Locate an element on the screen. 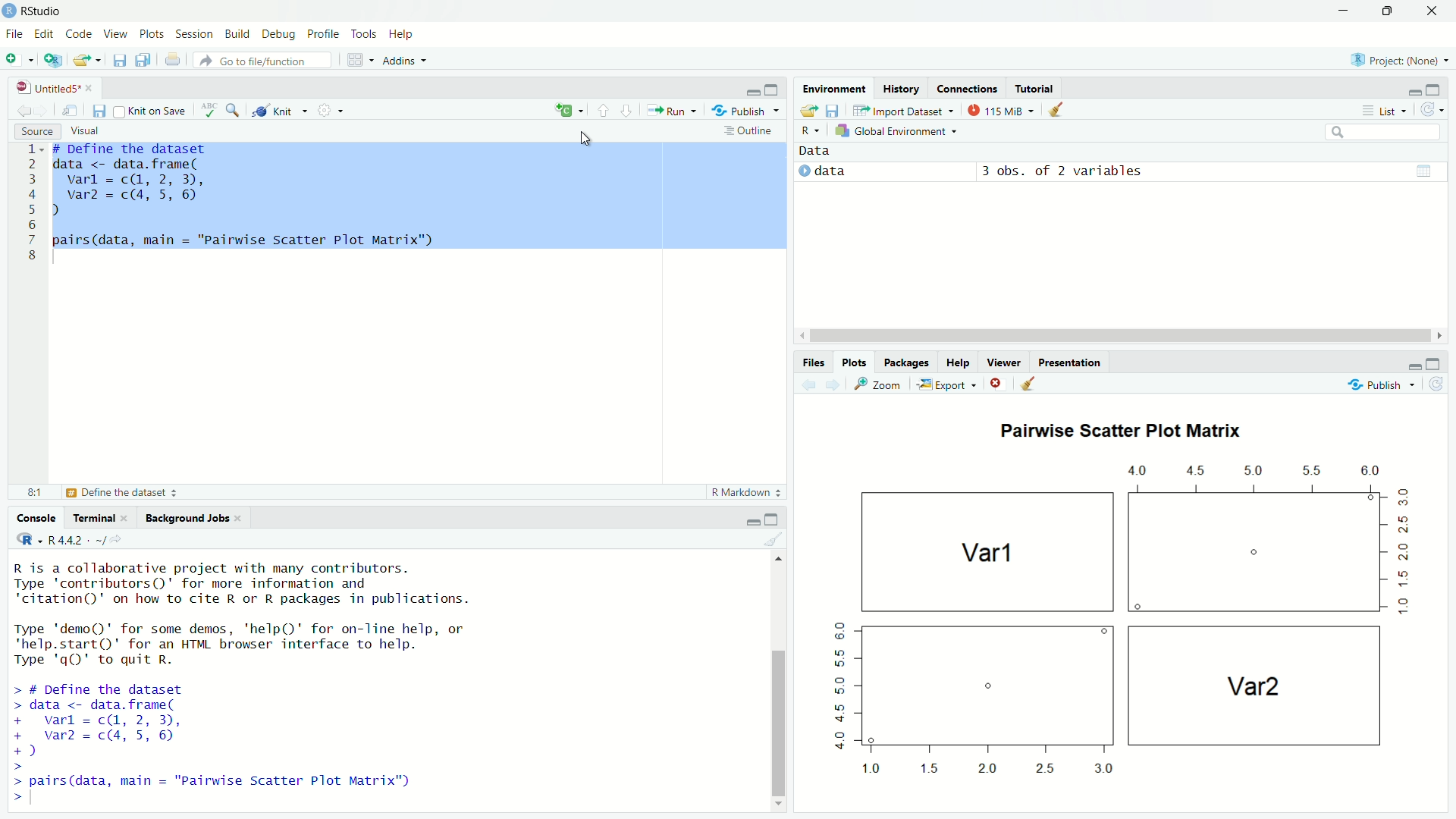 This screenshot has height=819, width=1456. Right is located at coordinates (1439, 335).